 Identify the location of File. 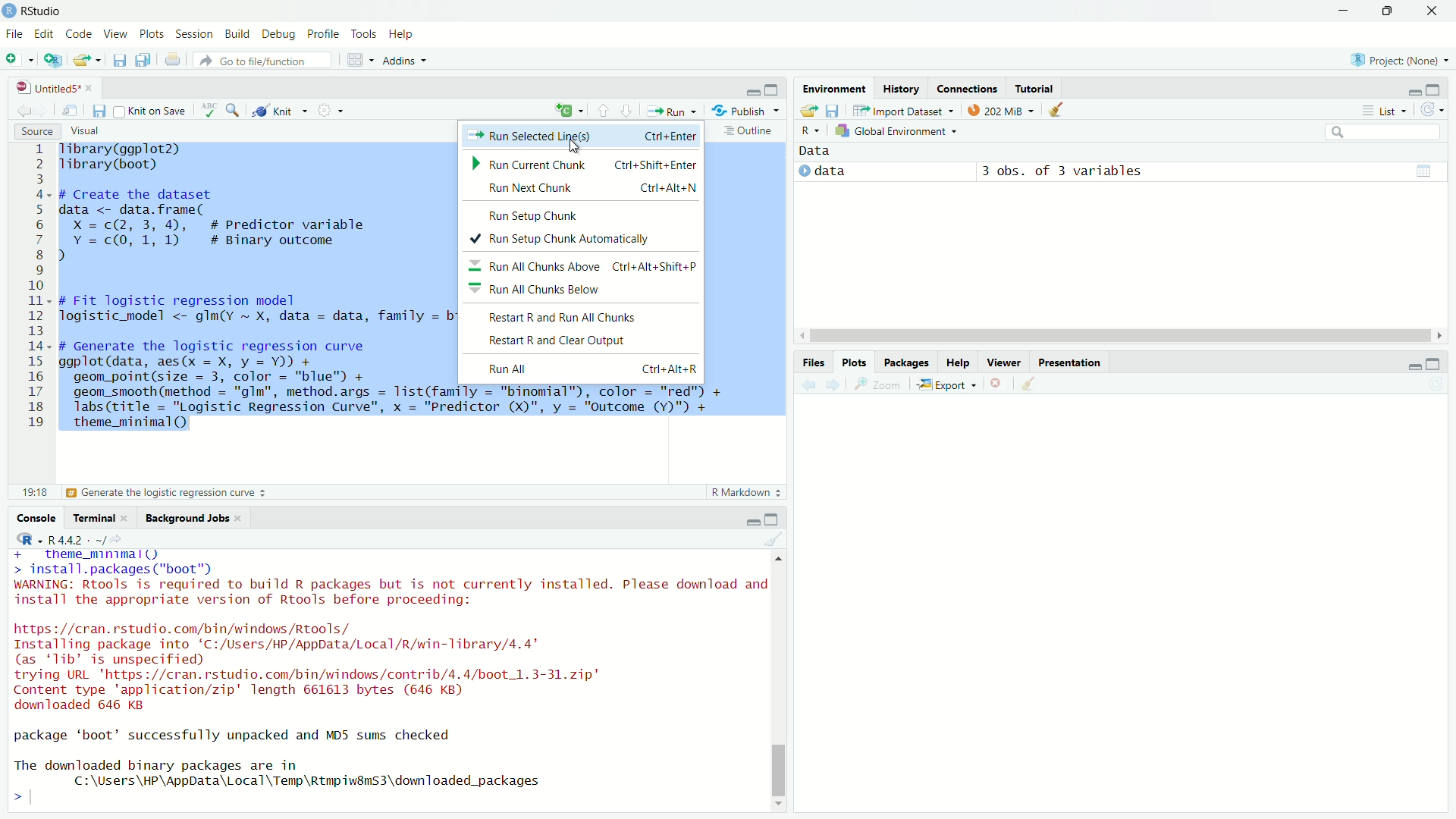
(15, 33).